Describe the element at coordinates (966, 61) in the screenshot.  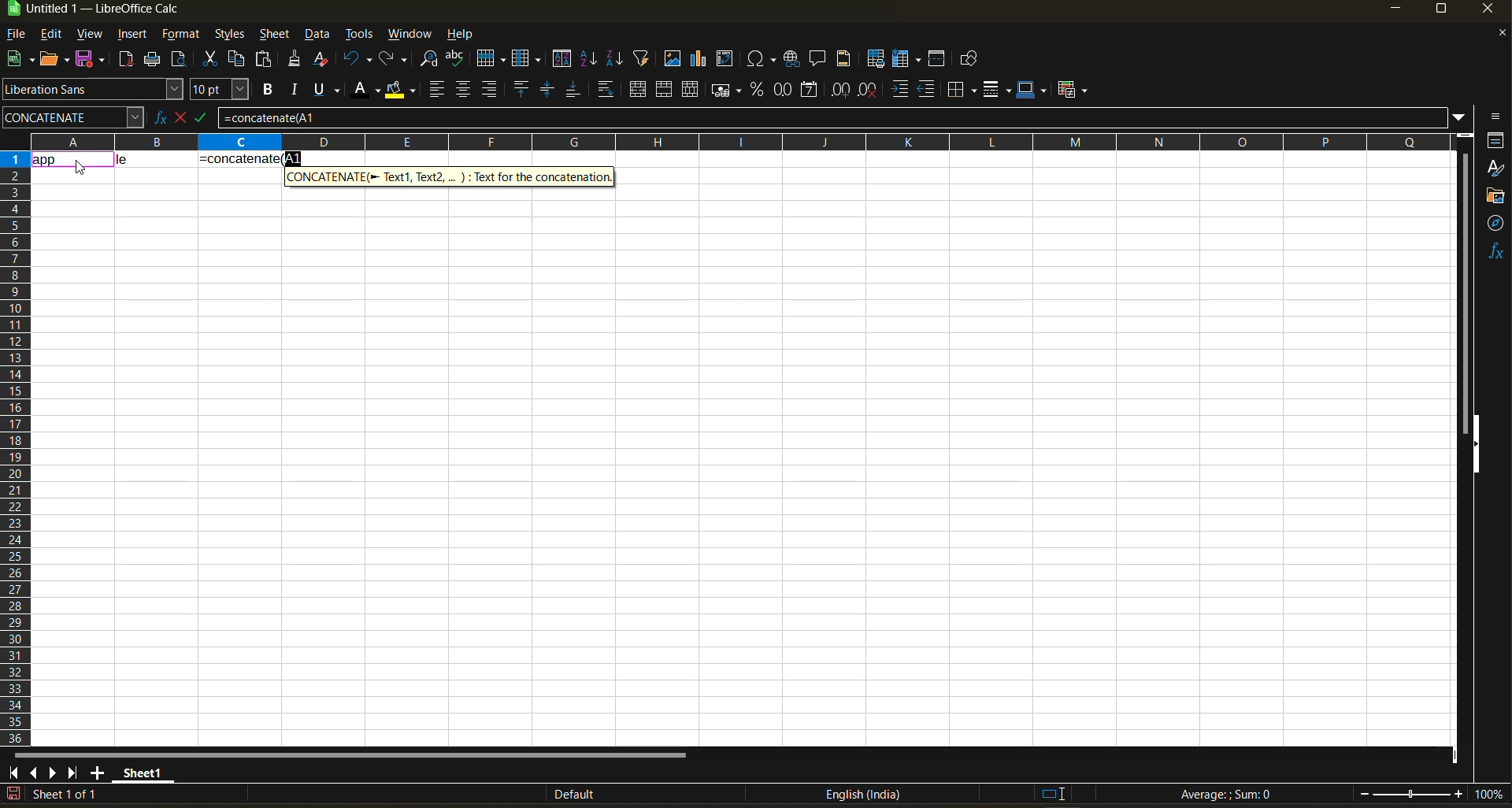
I see `show draw functions` at that location.